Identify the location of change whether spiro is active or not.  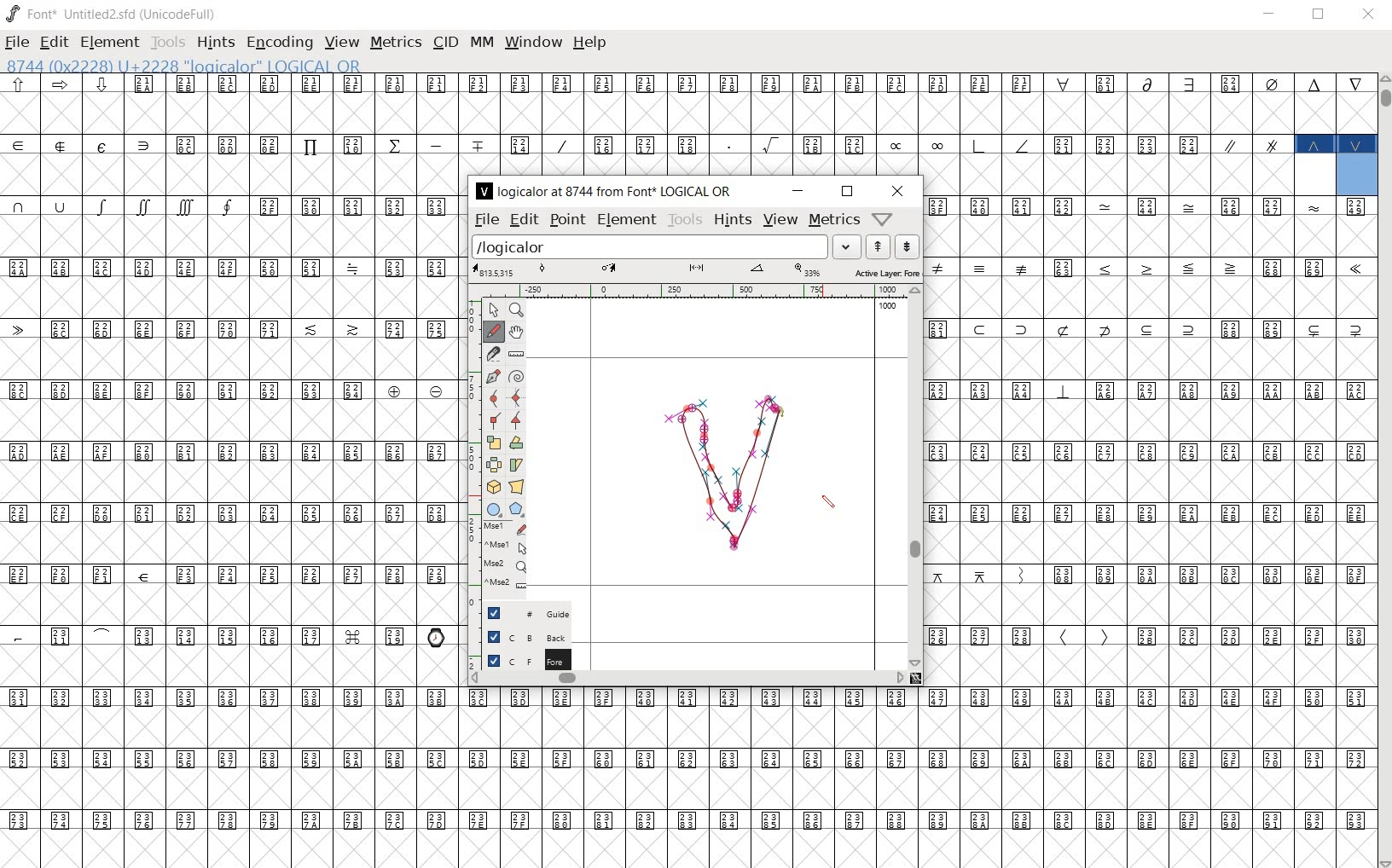
(513, 376).